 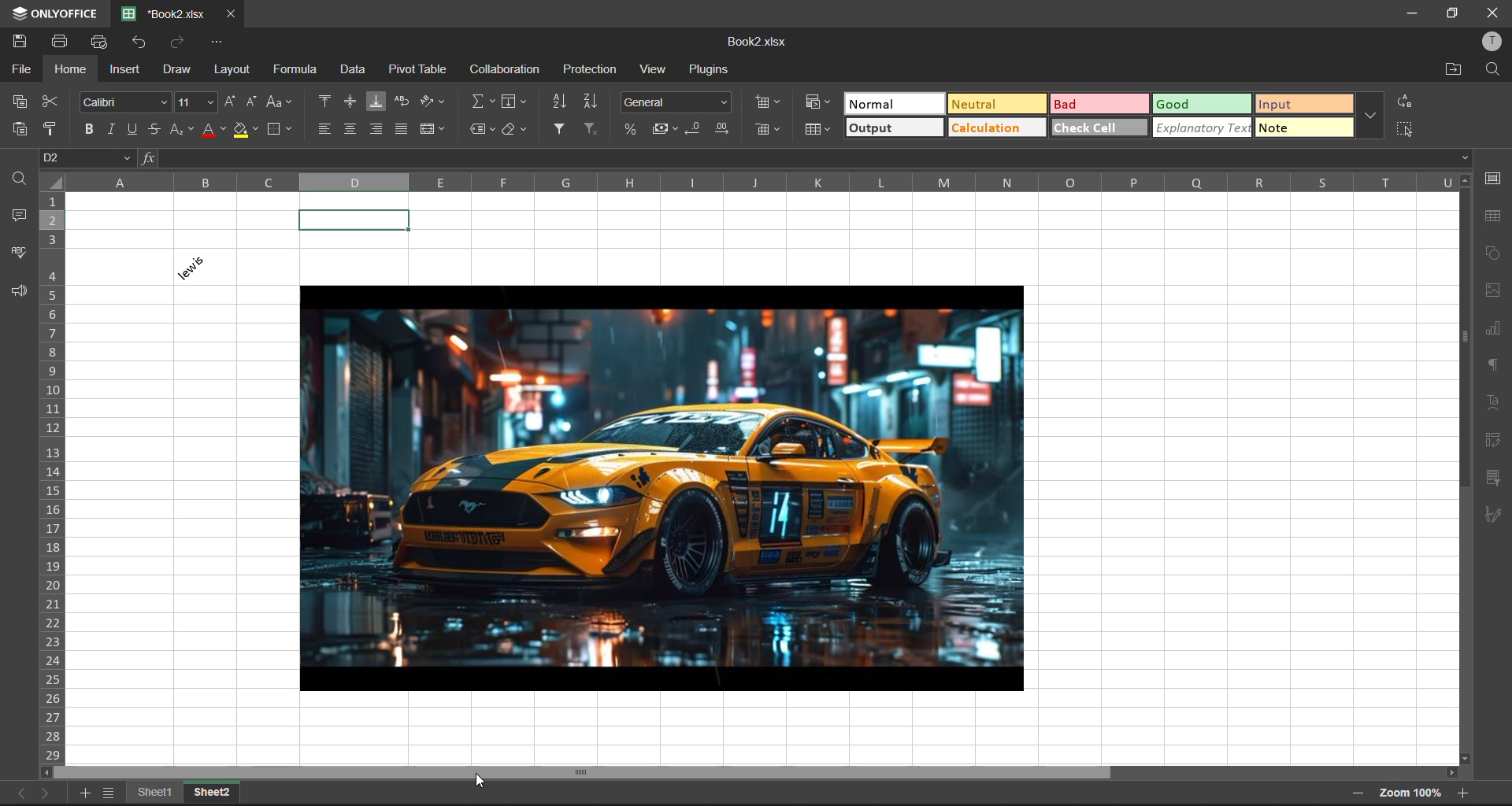 I want to click on row numbers, so click(x=56, y=476).